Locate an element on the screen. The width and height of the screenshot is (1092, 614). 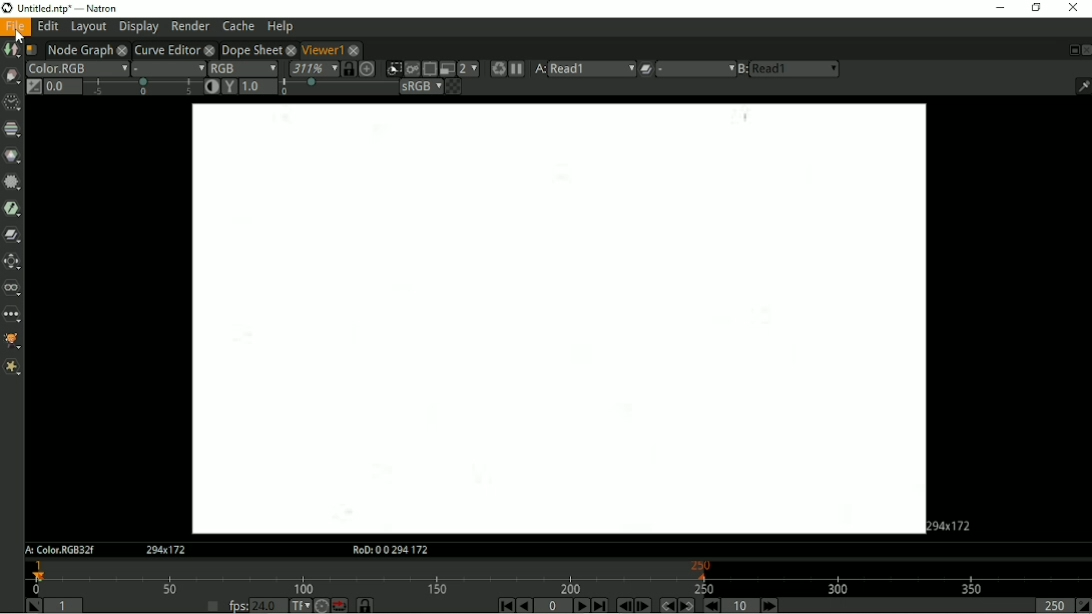
Auto-contrast is located at coordinates (210, 87).